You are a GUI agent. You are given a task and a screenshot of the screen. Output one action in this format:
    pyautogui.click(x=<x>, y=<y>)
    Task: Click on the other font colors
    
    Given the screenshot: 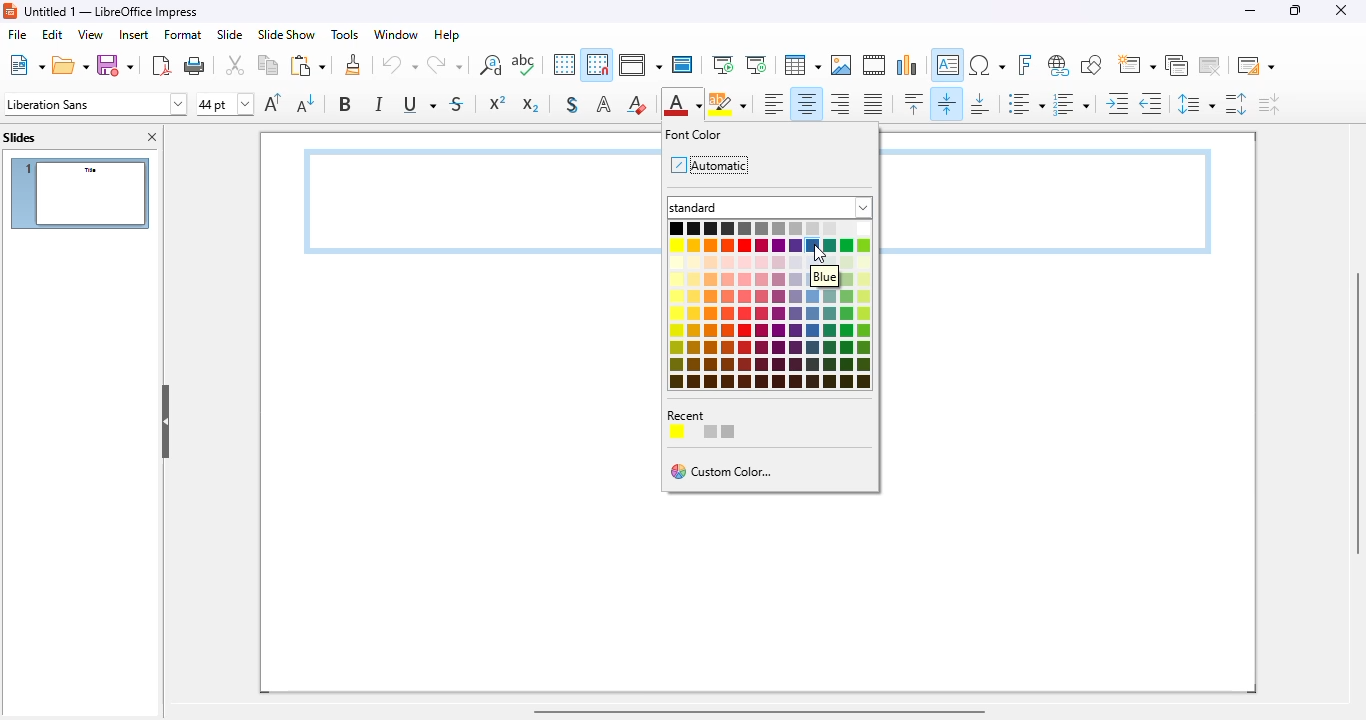 What is the action you would take?
    pyautogui.click(x=773, y=339)
    